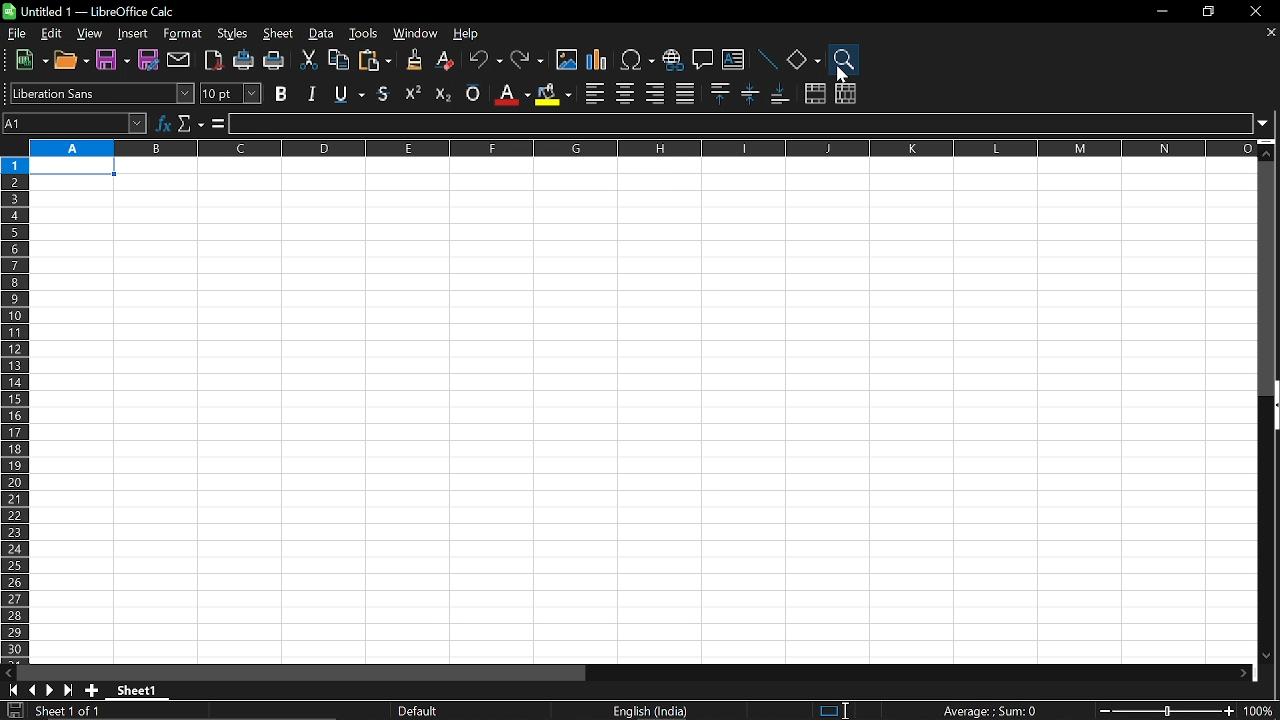 The height and width of the screenshot is (720, 1280). Describe the element at coordinates (742, 124) in the screenshot. I see `input line` at that location.